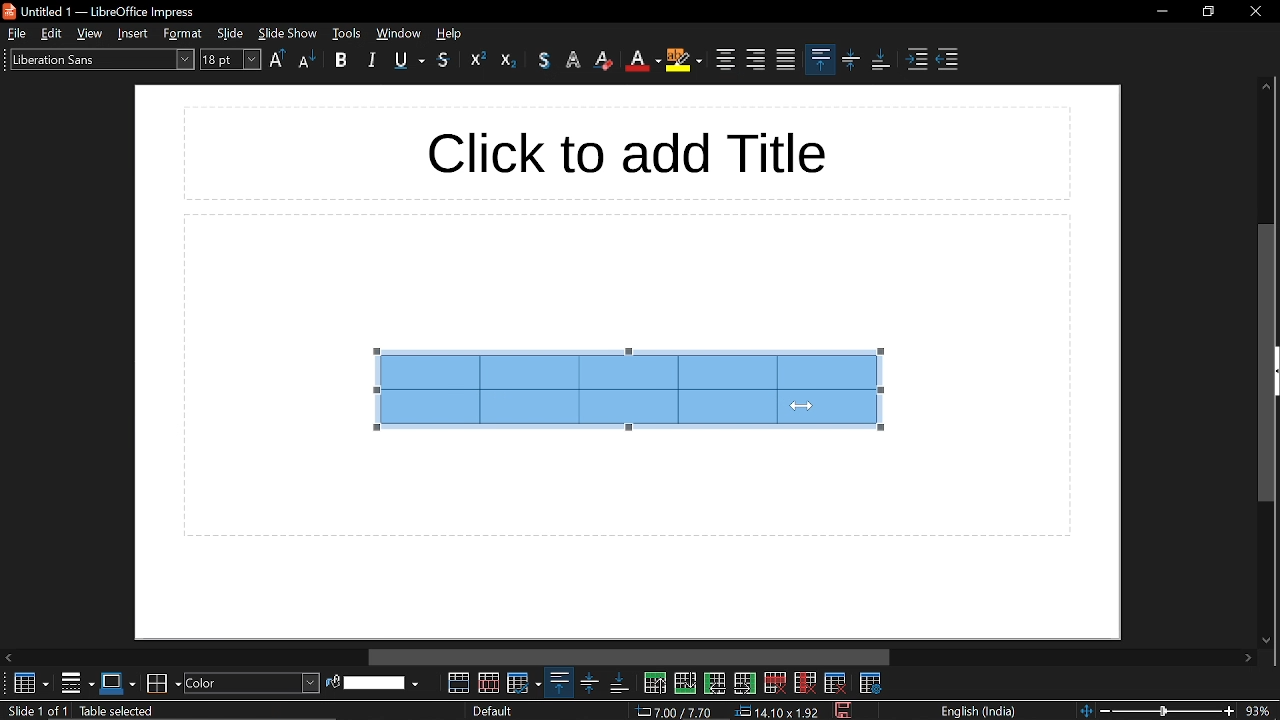  What do you see at coordinates (853, 62) in the screenshot?
I see `center vertically` at bounding box center [853, 62].